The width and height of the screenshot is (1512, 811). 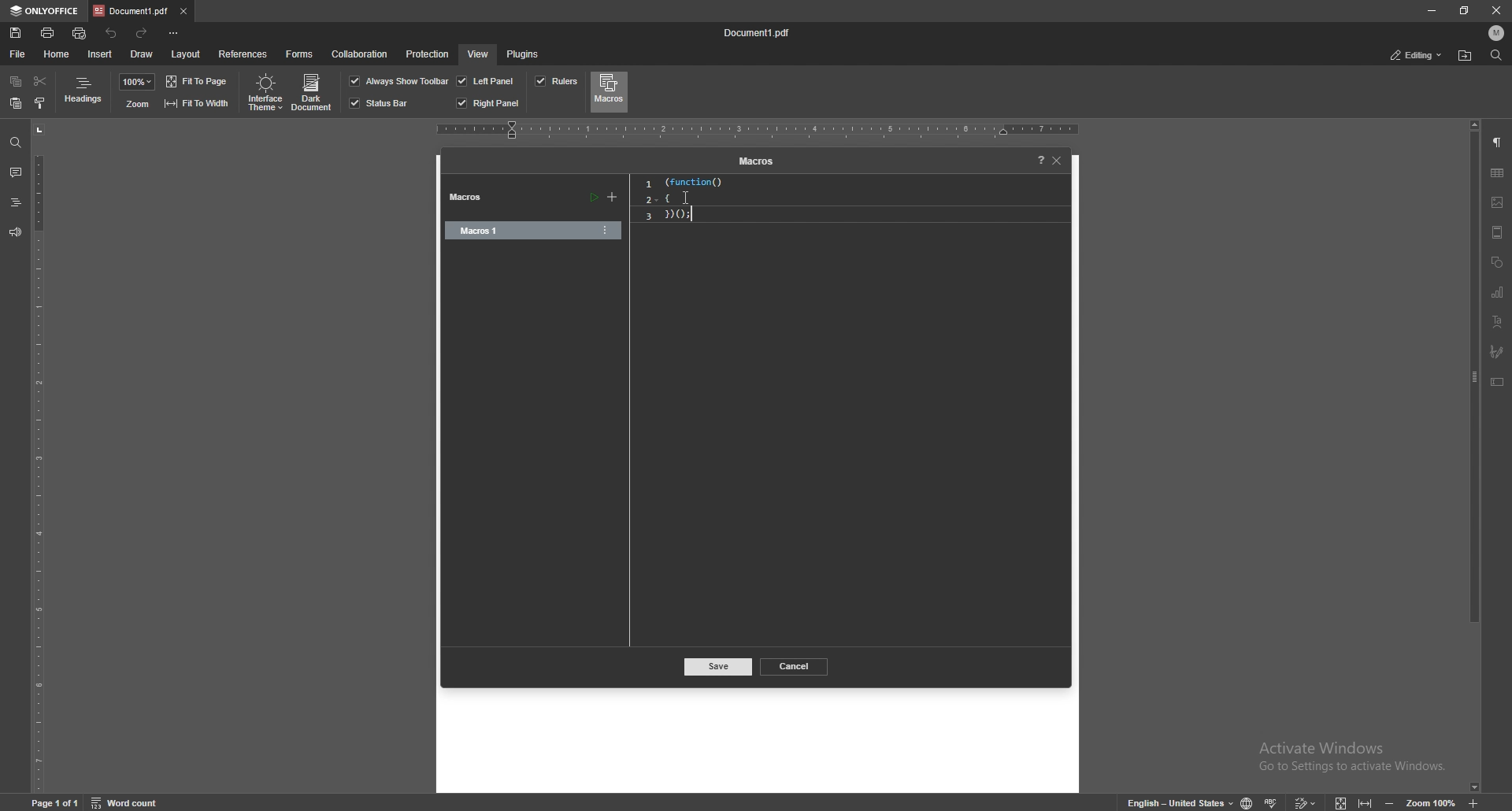 What do you see at coordinates (16, 143) in the screenshot?
I see `find` at bounding box center [16, 143].